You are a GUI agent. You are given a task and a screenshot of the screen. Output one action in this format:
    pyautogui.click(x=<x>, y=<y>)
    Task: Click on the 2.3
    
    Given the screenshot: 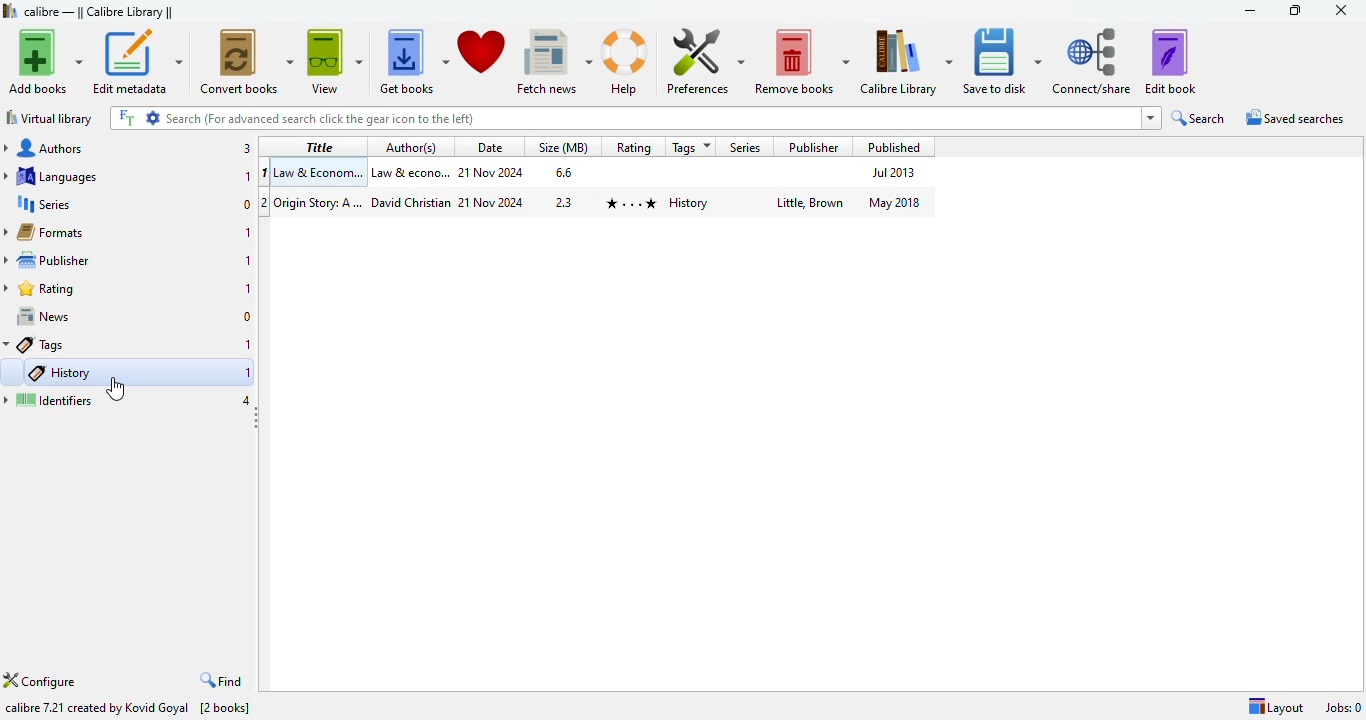 What is the action you would take?
    pyautogui.click(x=565, y=201)
    